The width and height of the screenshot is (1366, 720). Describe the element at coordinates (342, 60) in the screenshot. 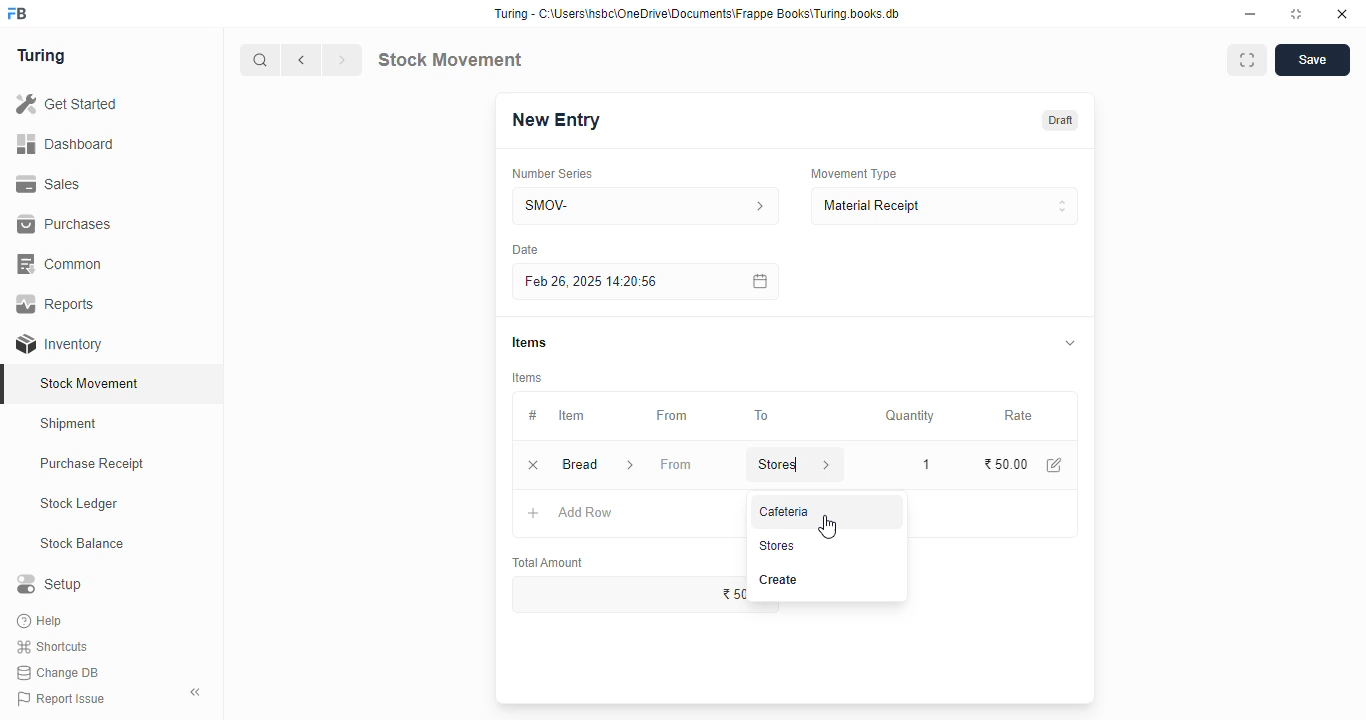

I see `next` at that location.